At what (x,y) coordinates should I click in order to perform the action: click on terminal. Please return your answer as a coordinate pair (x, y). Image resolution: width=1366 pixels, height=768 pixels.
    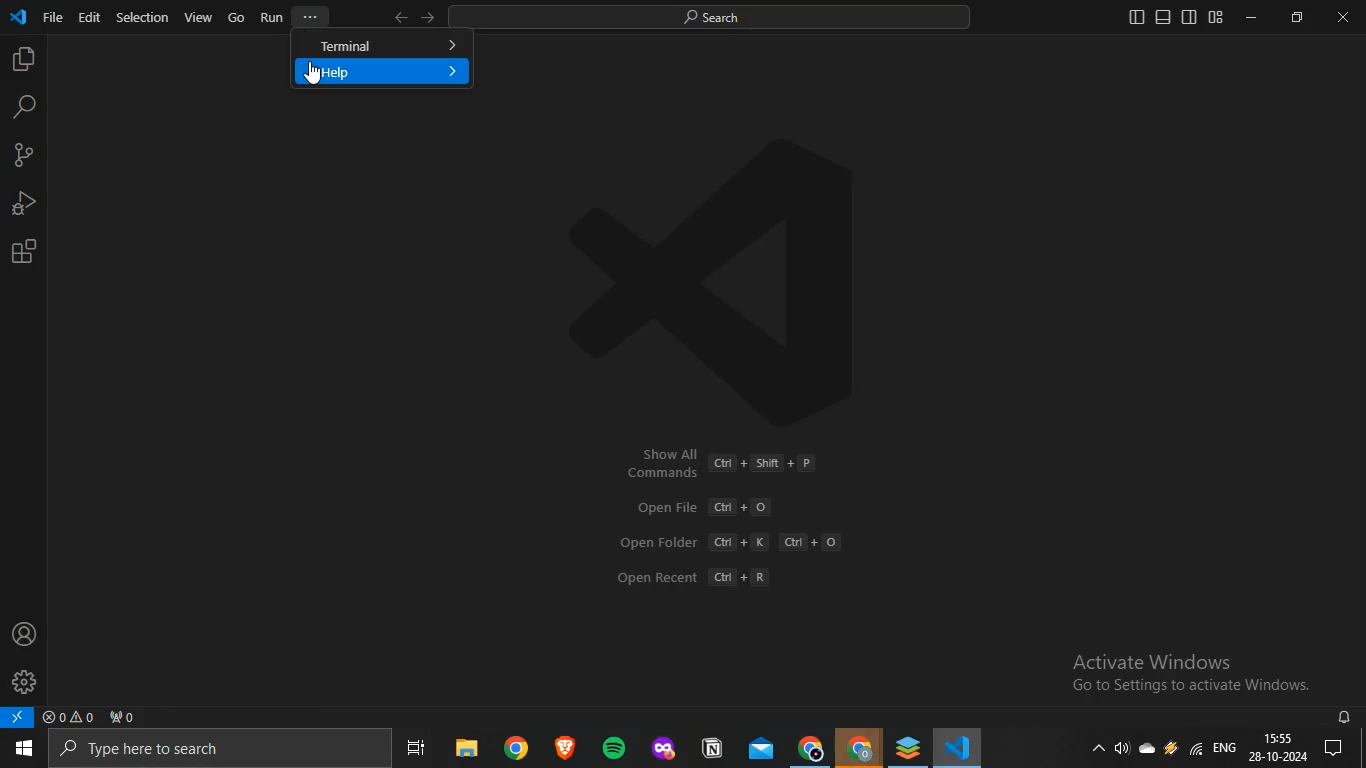
    Looking at the image, I should click on (383, 46).